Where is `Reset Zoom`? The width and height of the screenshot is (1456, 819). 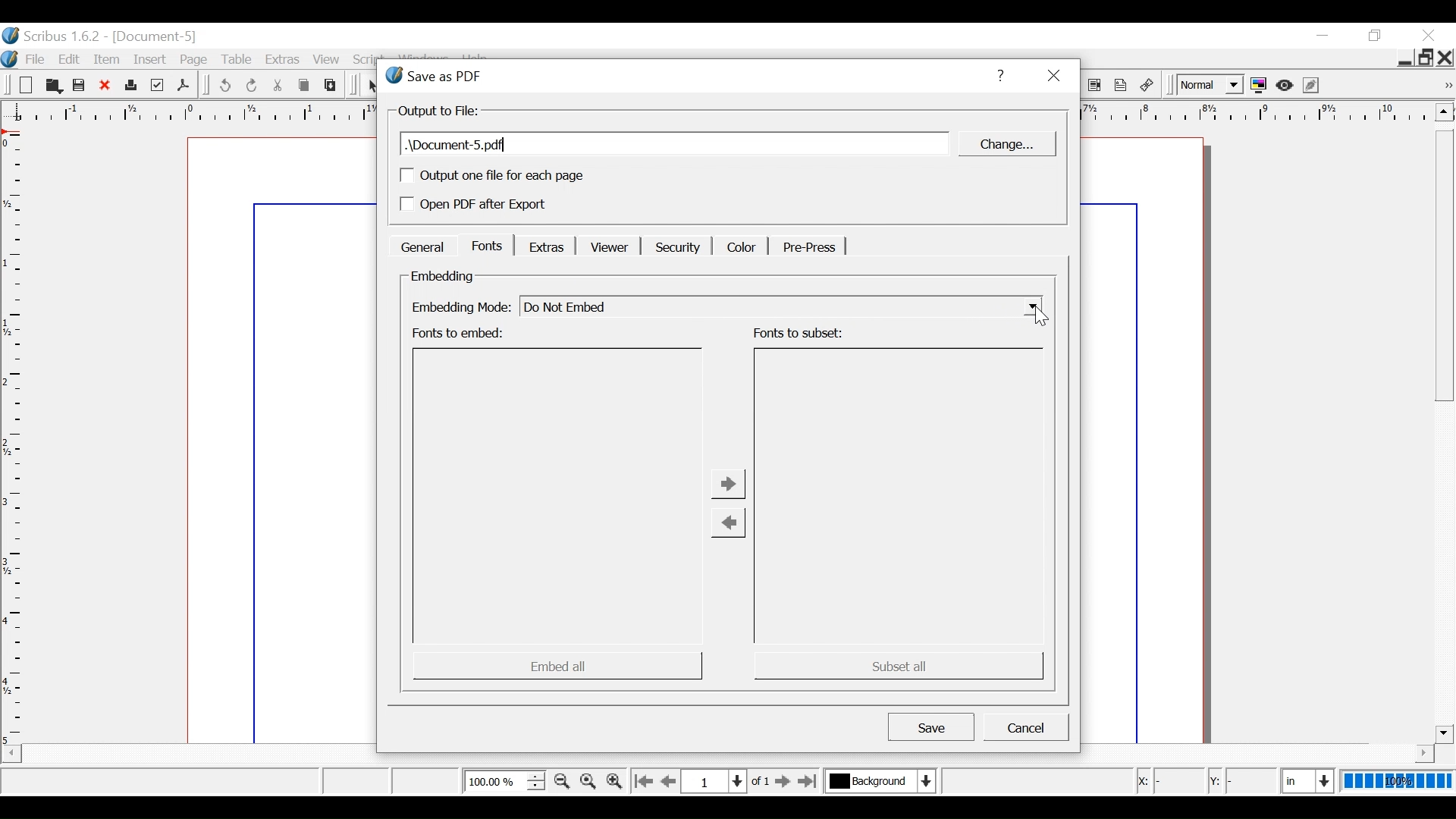
Reset Zoom is located at coordinates (589, 780).